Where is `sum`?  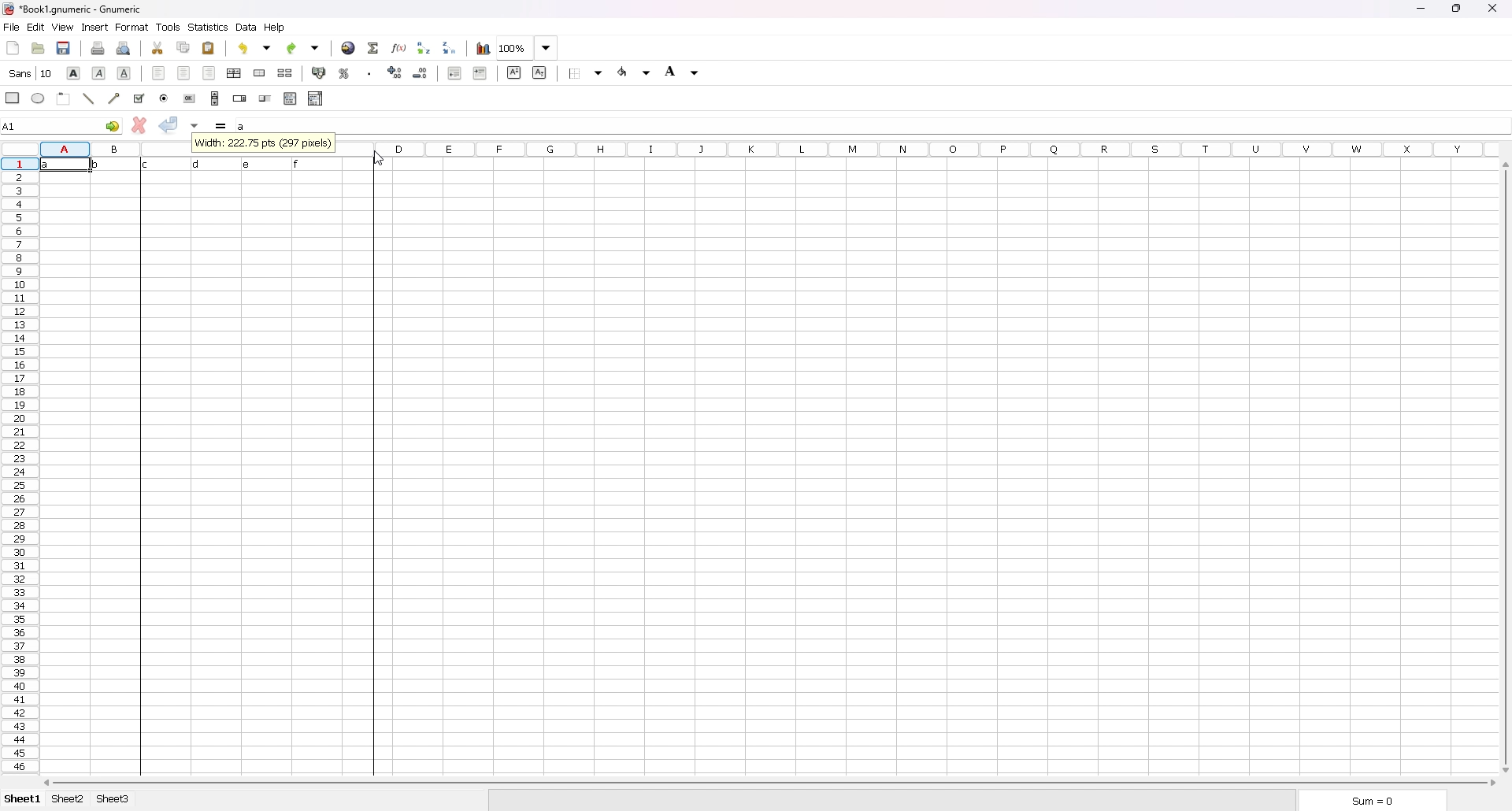
sum is located at coordinates (1368, 799).